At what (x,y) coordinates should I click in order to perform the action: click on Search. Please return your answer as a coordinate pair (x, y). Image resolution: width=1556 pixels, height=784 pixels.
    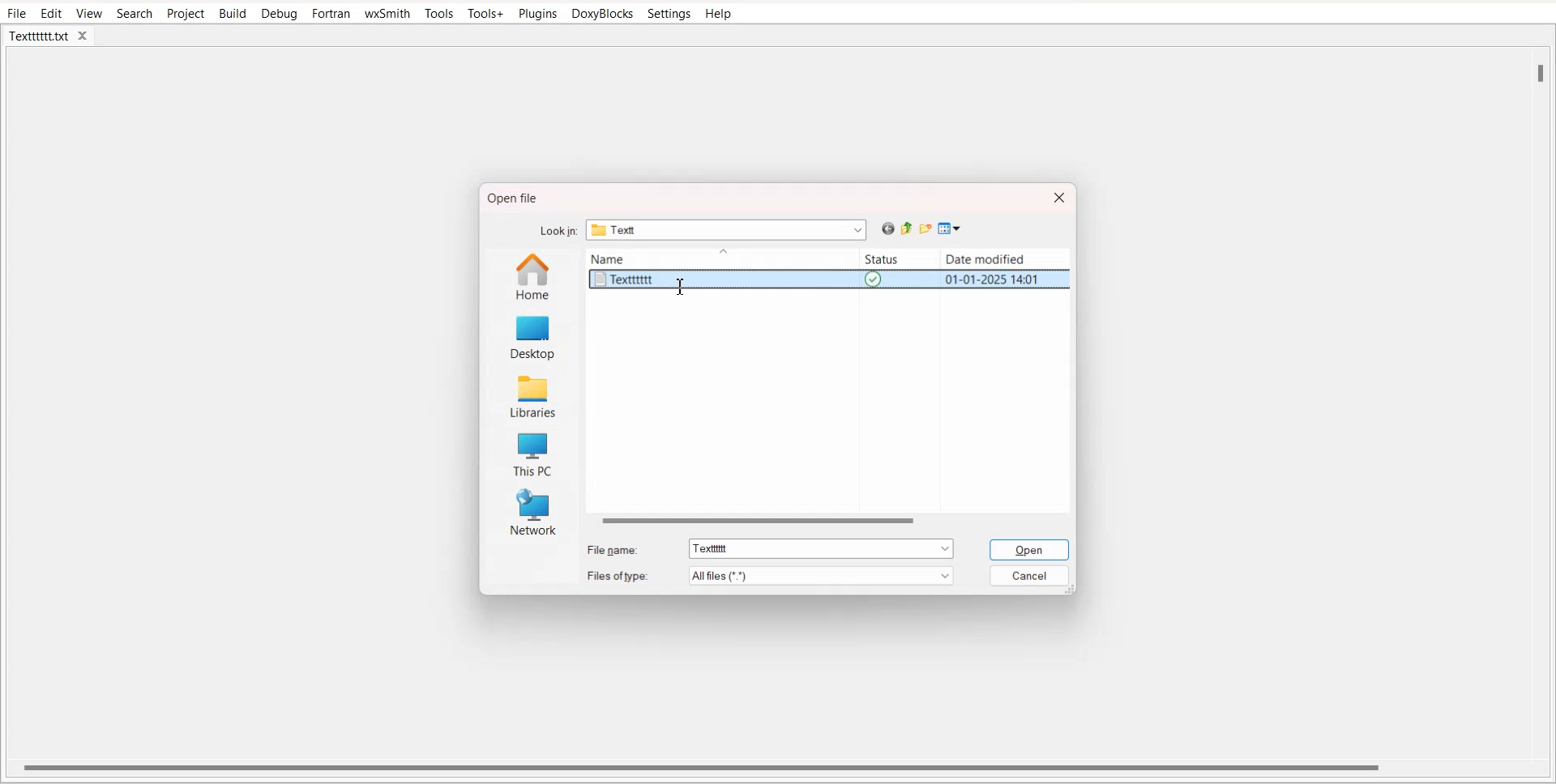
    Looking at the image, I should click on (135, 13).